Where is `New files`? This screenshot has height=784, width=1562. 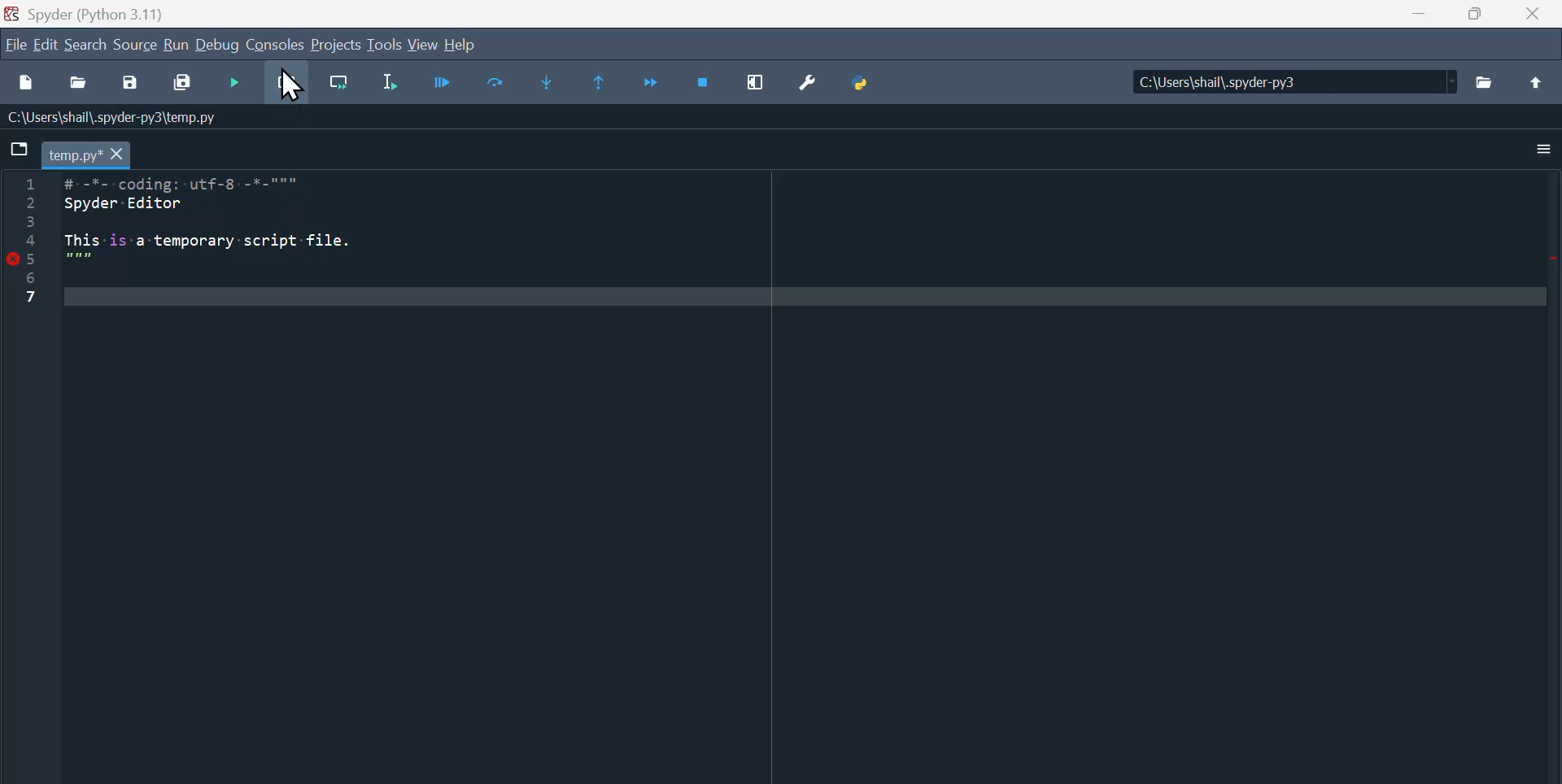 New files is located at coordinates (21, 84).